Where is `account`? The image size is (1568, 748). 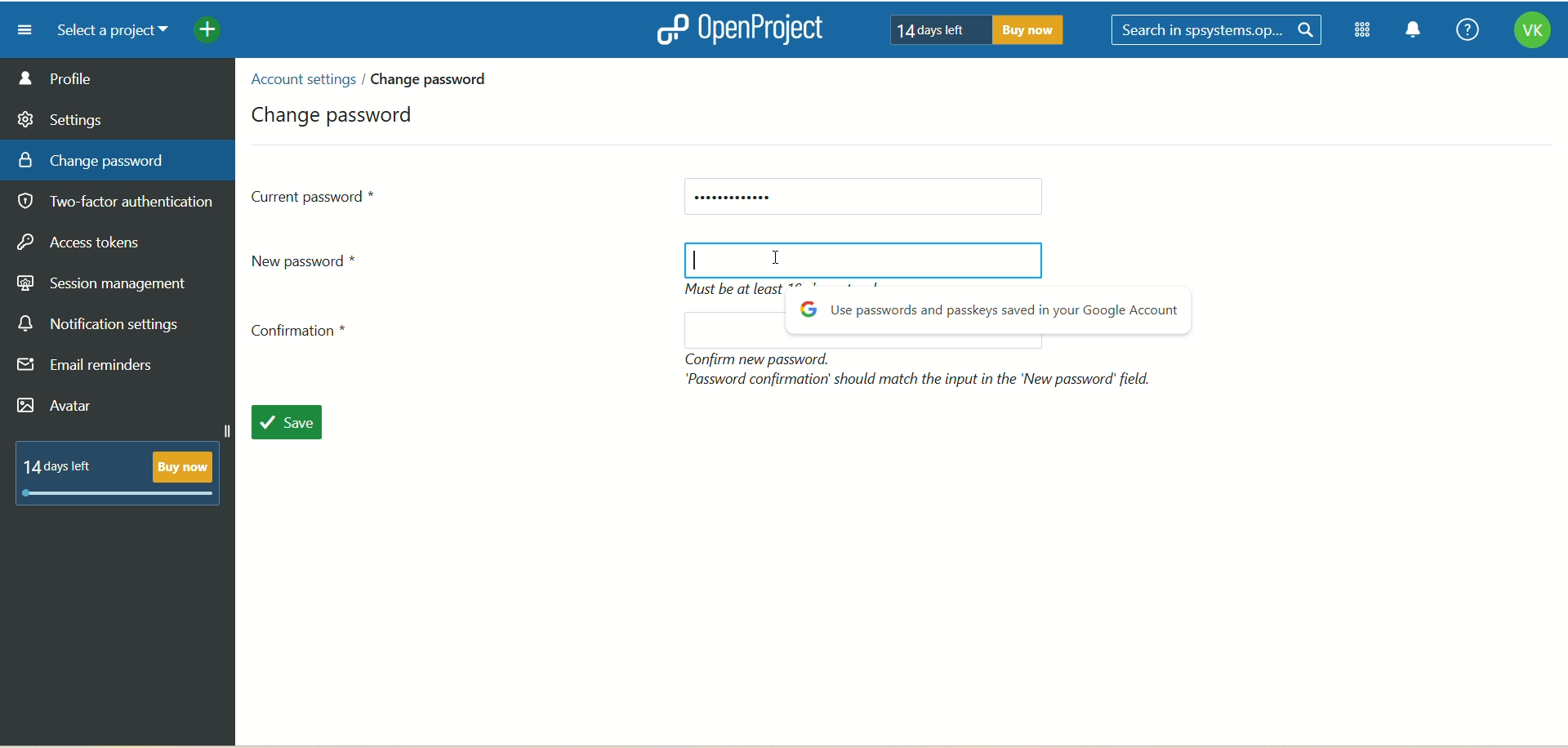
account is located at coordinates (1531, 33).